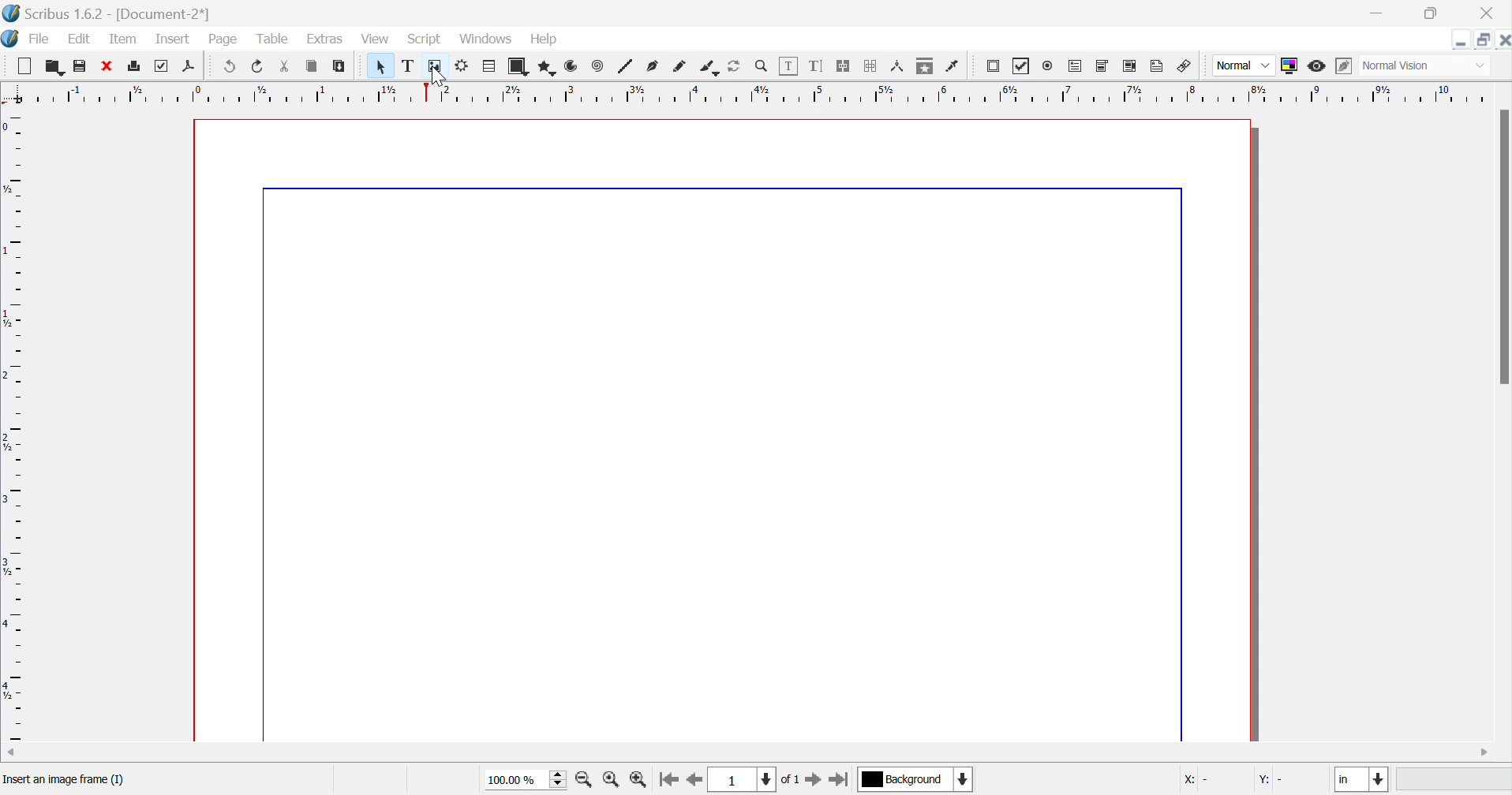  I want to click on normal, so click(1244, 66).